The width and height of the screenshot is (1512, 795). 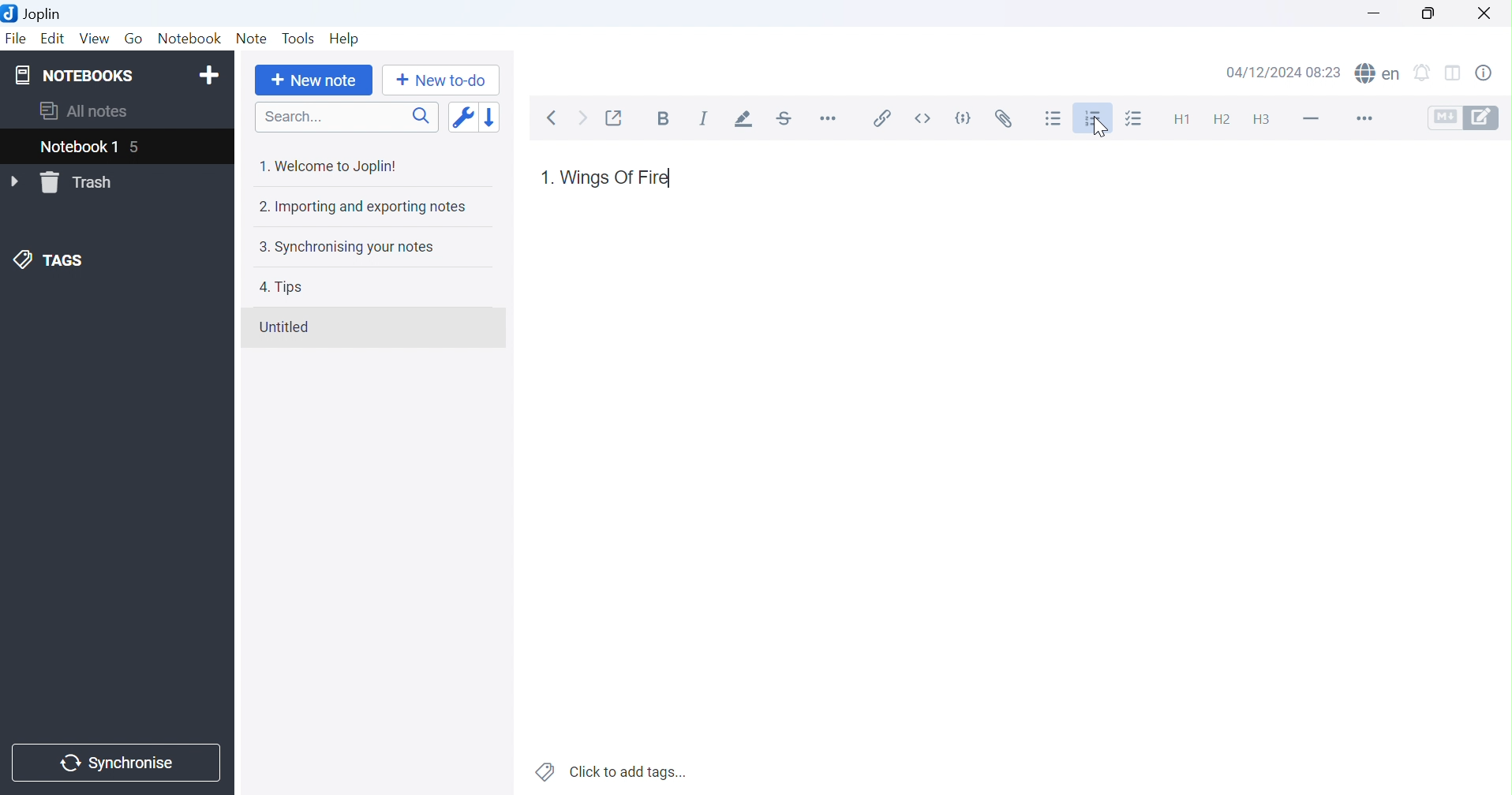 I want to click on Toggle external editing, so click(x=616, y=117).